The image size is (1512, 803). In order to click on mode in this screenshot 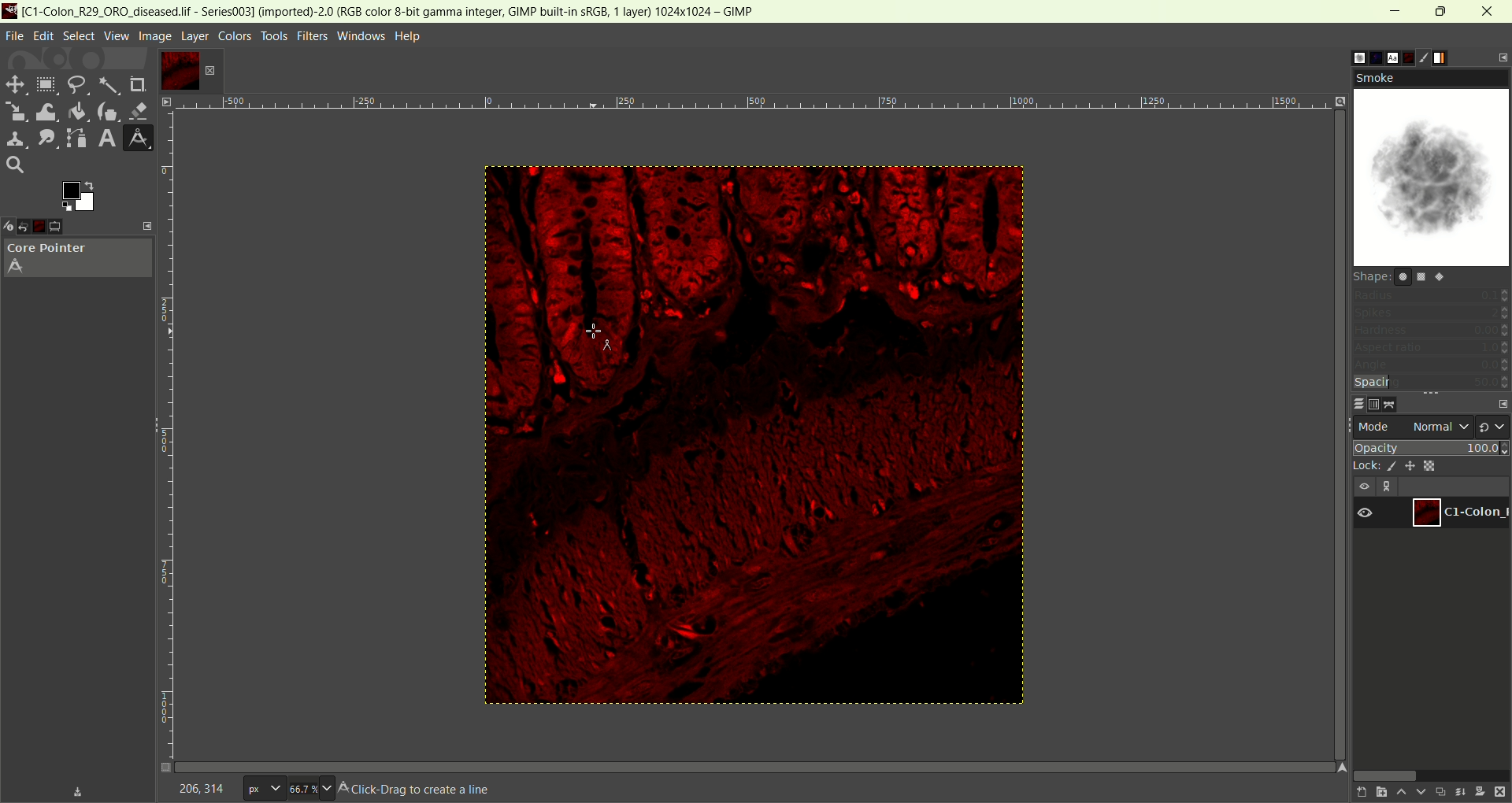, I will do `click(1376, 427)`.